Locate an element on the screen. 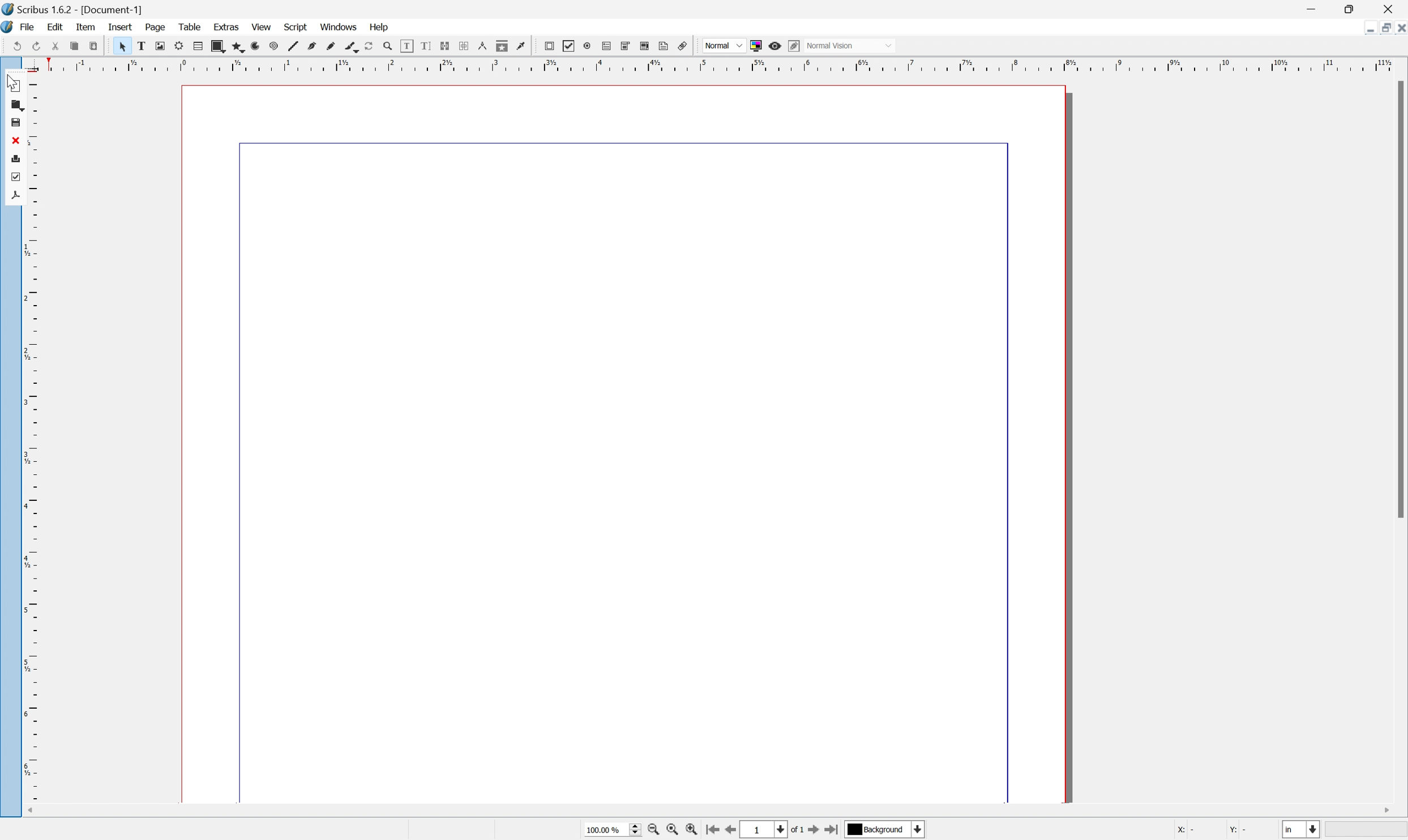 Image resolution: width=1408 pixels, height=840 pixels. save is located at coordinates (16, 121).